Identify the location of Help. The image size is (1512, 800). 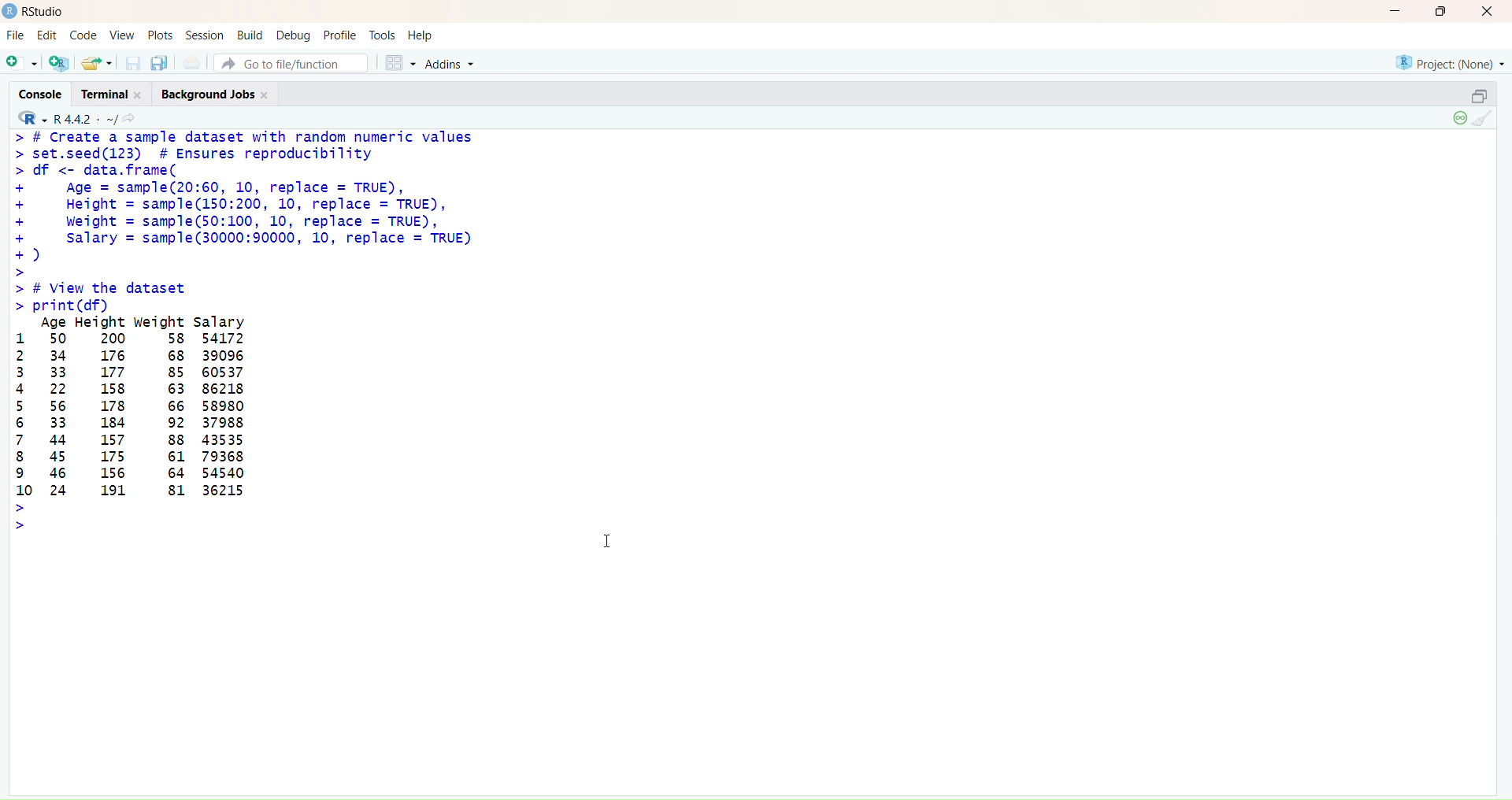
(420, 32).